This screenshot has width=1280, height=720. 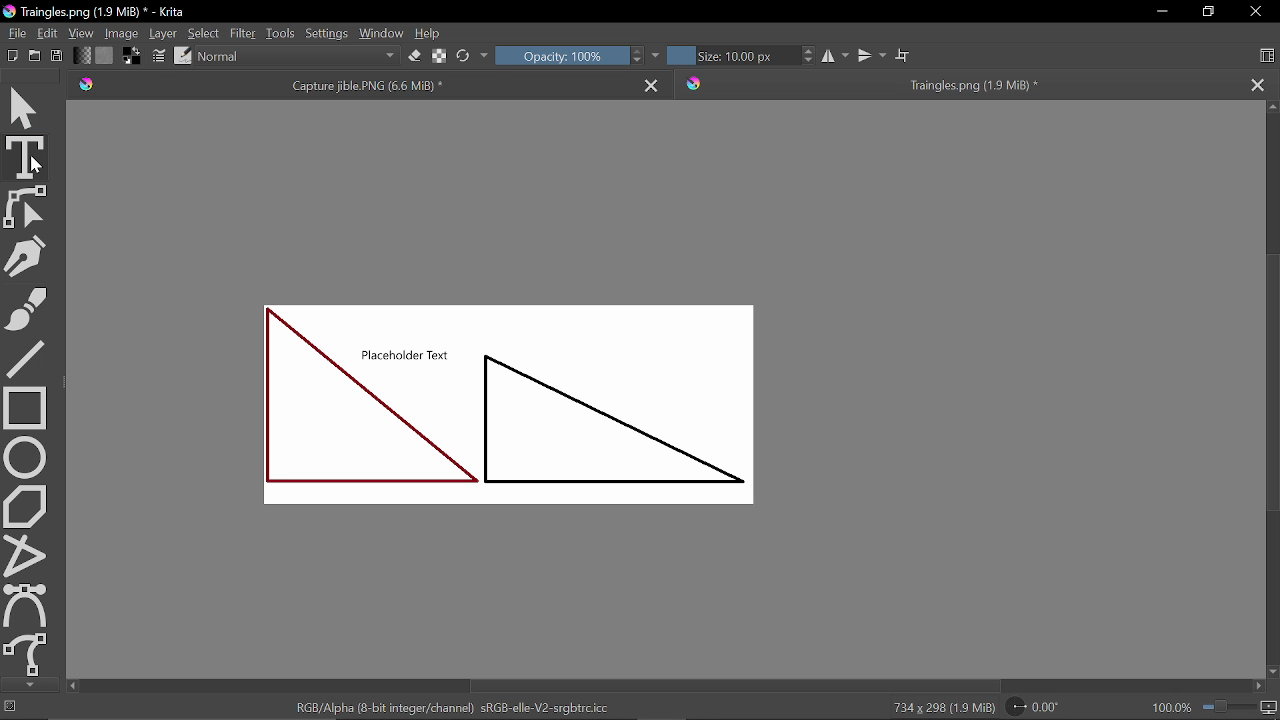 What do you see at coordinates (164, 33) in the screenshot?
I see `Layer` at bounding box center [164, 33].